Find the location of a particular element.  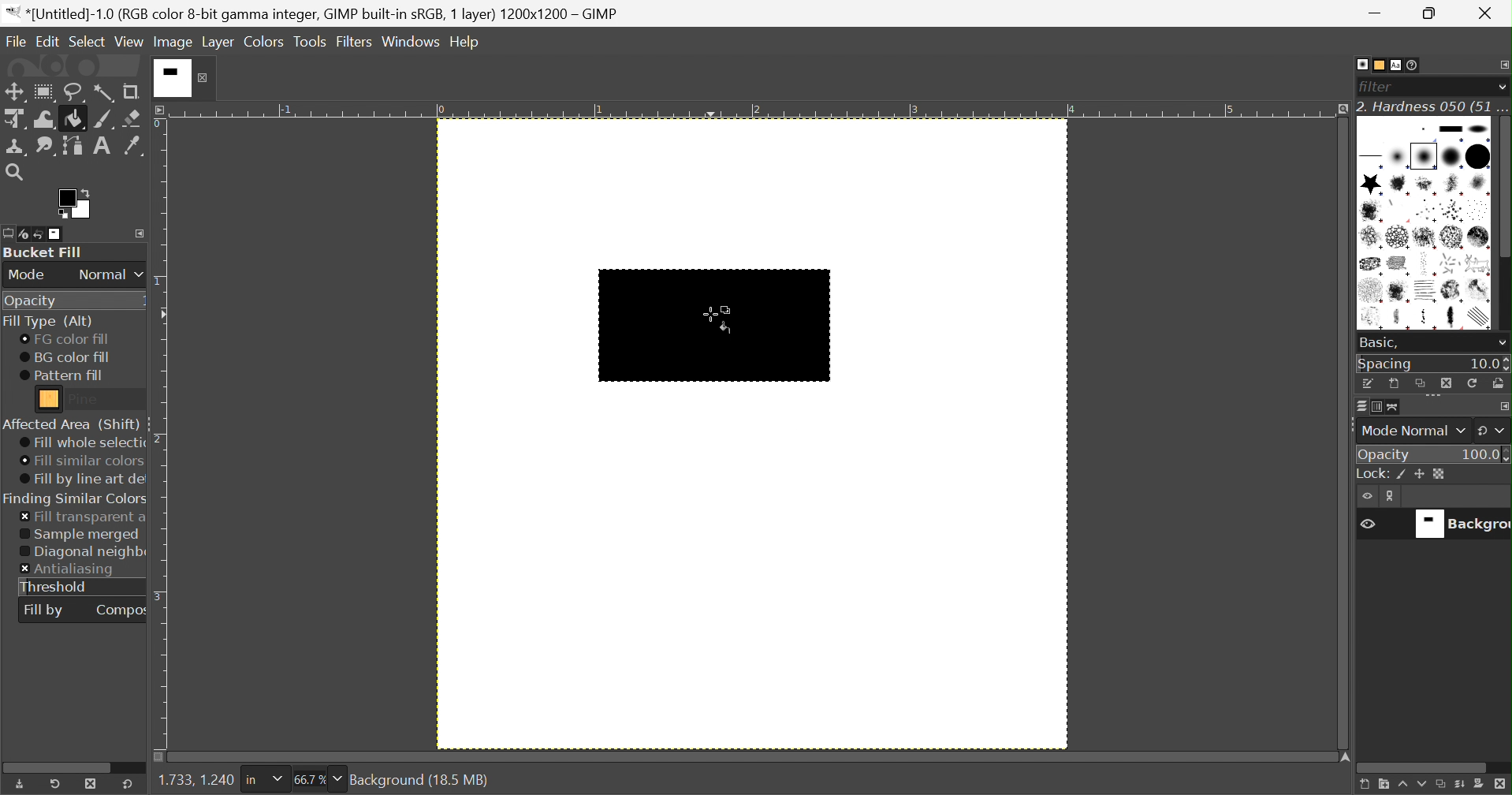

Edit is located at coordinates (47, 40).